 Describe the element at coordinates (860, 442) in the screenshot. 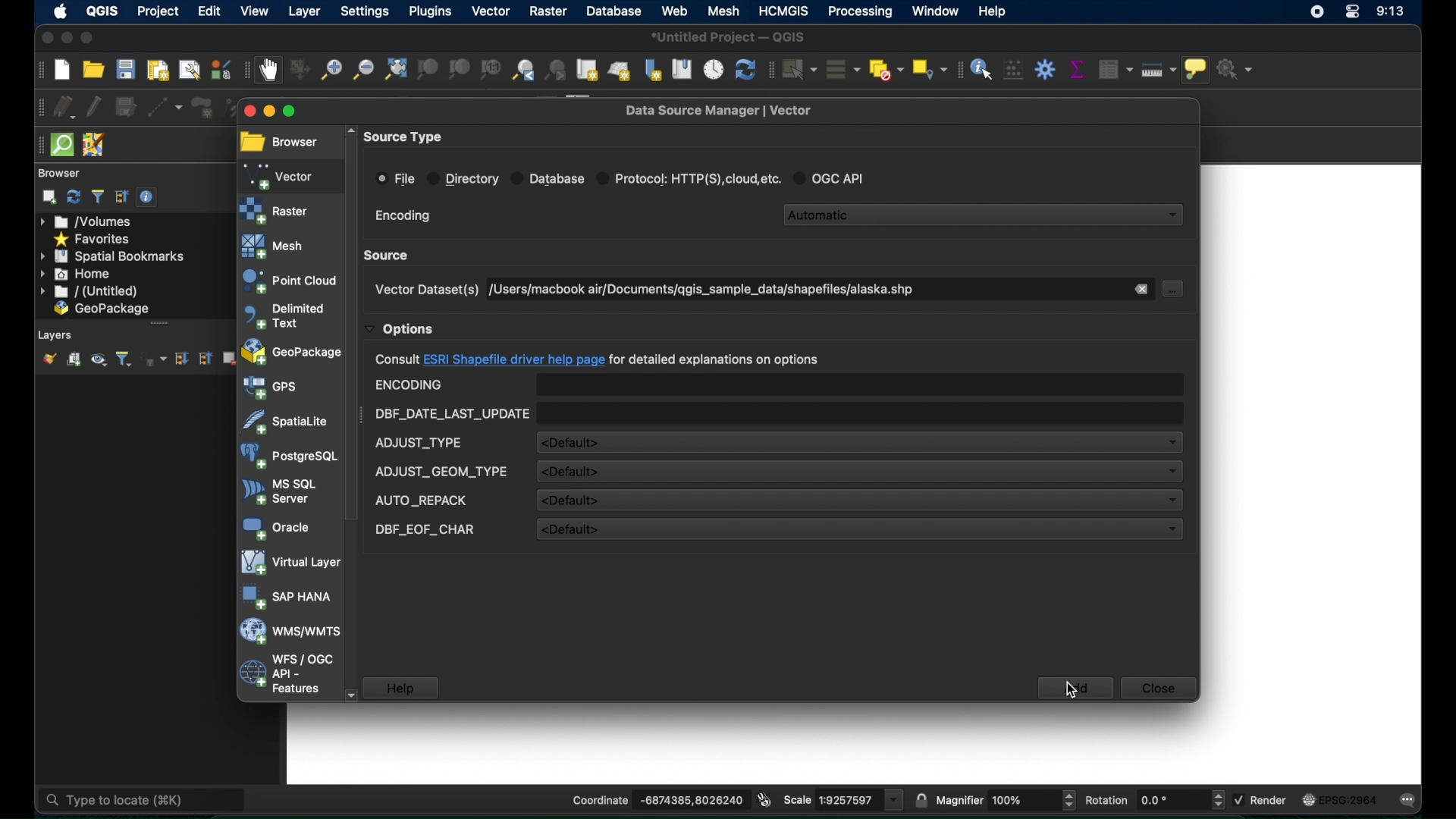

I see `default drop-down` at that location.